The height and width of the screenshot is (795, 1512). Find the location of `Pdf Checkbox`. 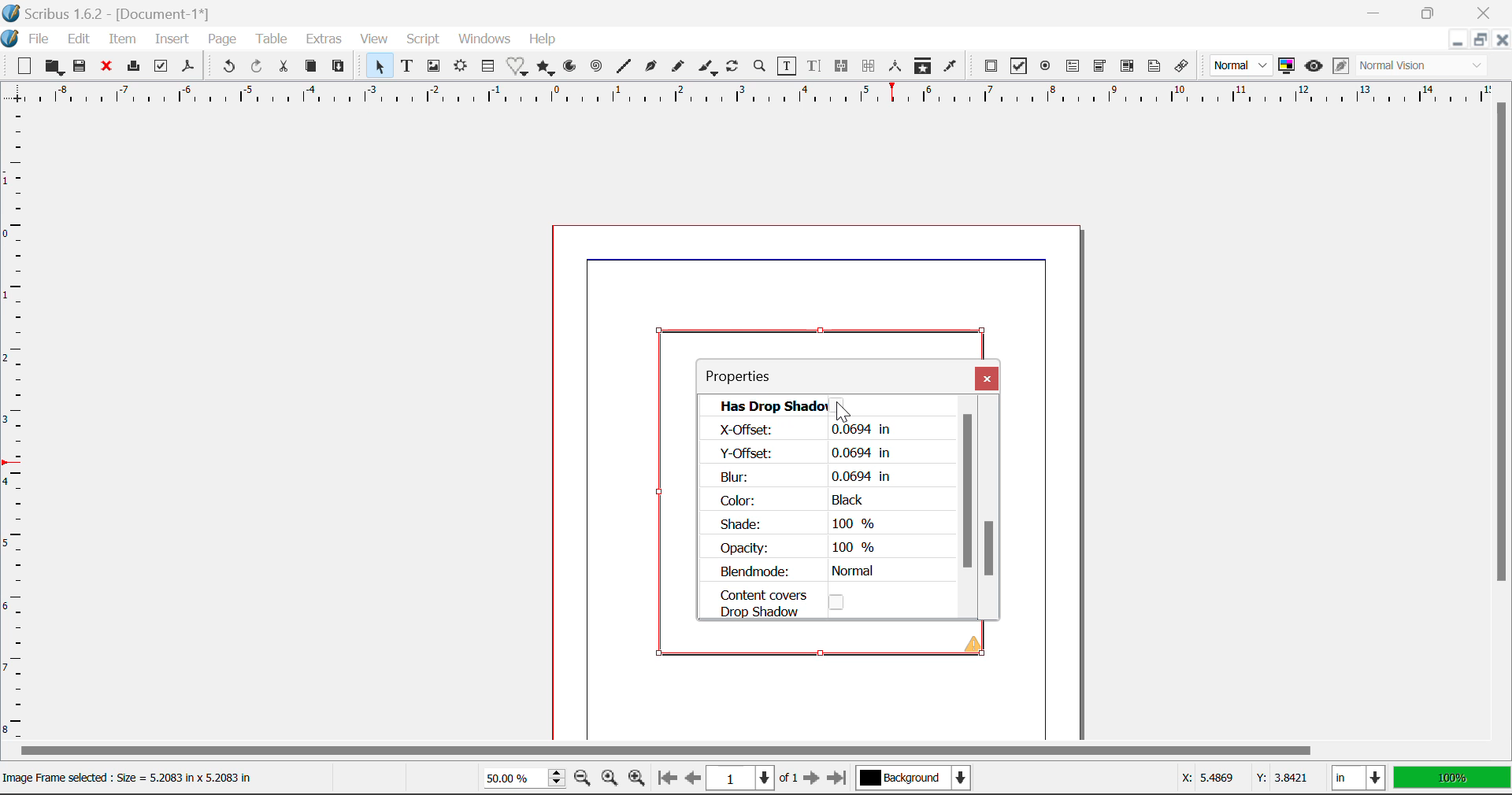

Pdf Checkbox is located at coordinates (1019, 66).